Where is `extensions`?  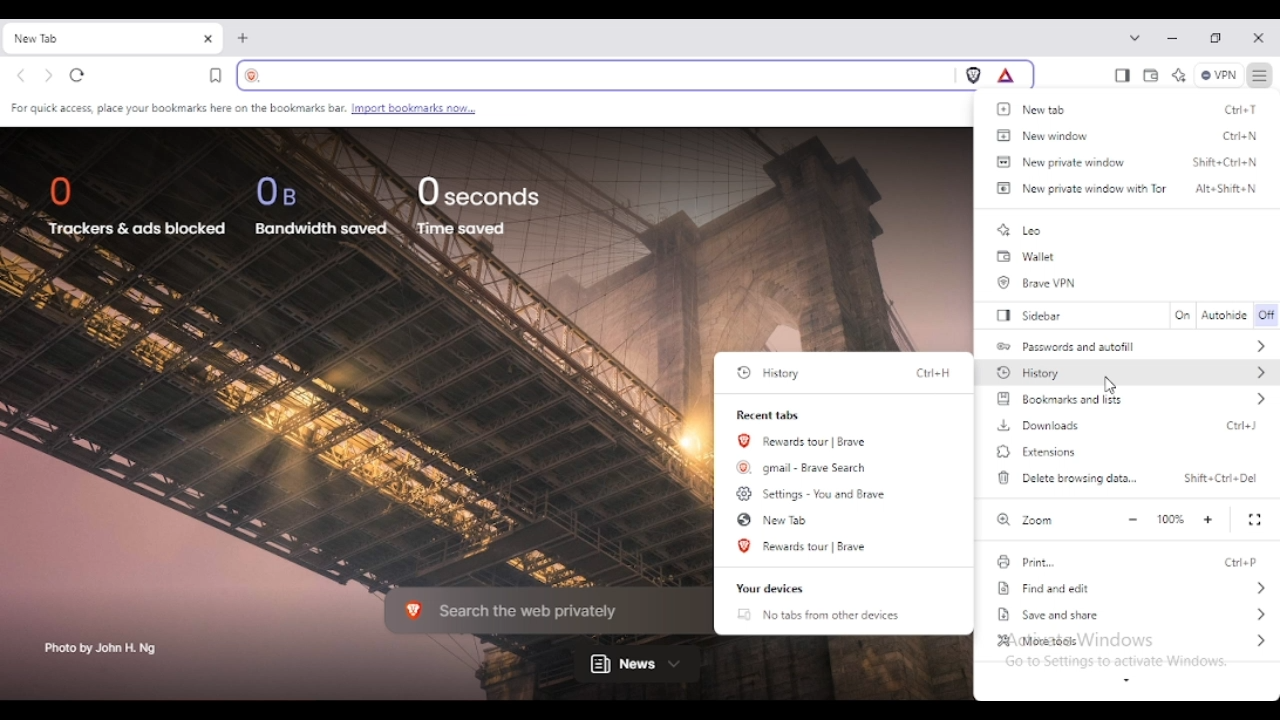
extensions is located at coordinates (1037, 452).